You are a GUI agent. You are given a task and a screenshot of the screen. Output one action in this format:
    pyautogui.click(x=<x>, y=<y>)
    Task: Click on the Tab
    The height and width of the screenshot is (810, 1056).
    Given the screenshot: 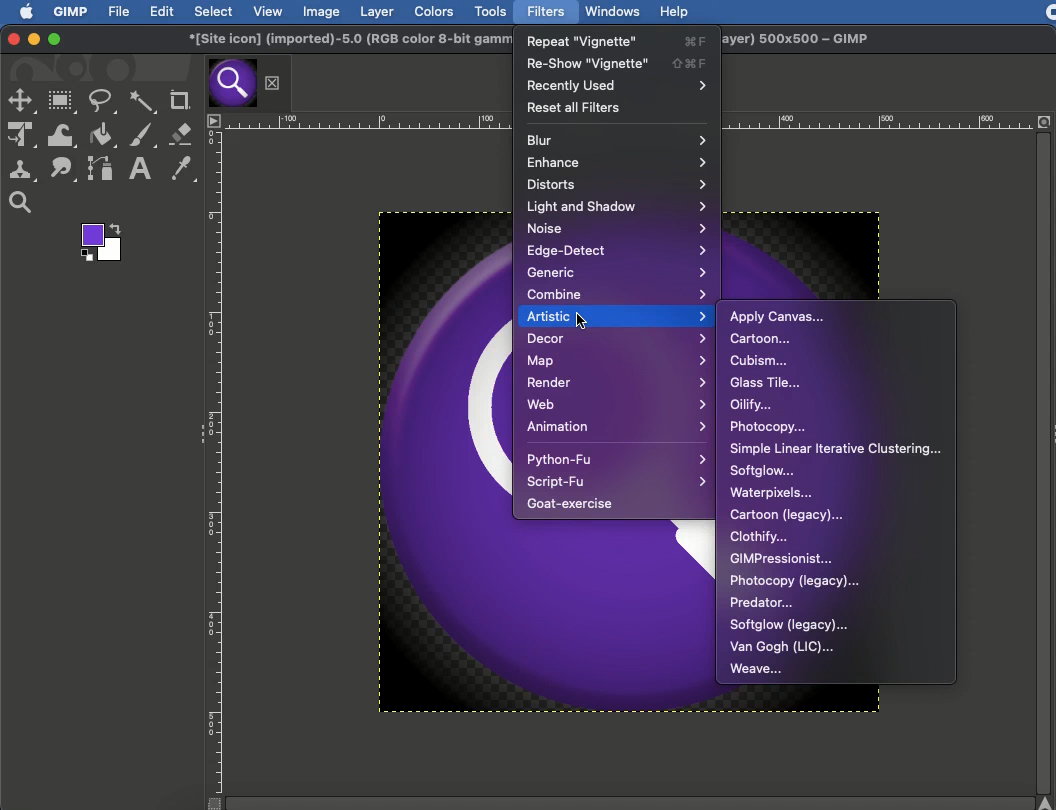 What is the action you would take?
    pyautogui.click(x=231, y=83)
    